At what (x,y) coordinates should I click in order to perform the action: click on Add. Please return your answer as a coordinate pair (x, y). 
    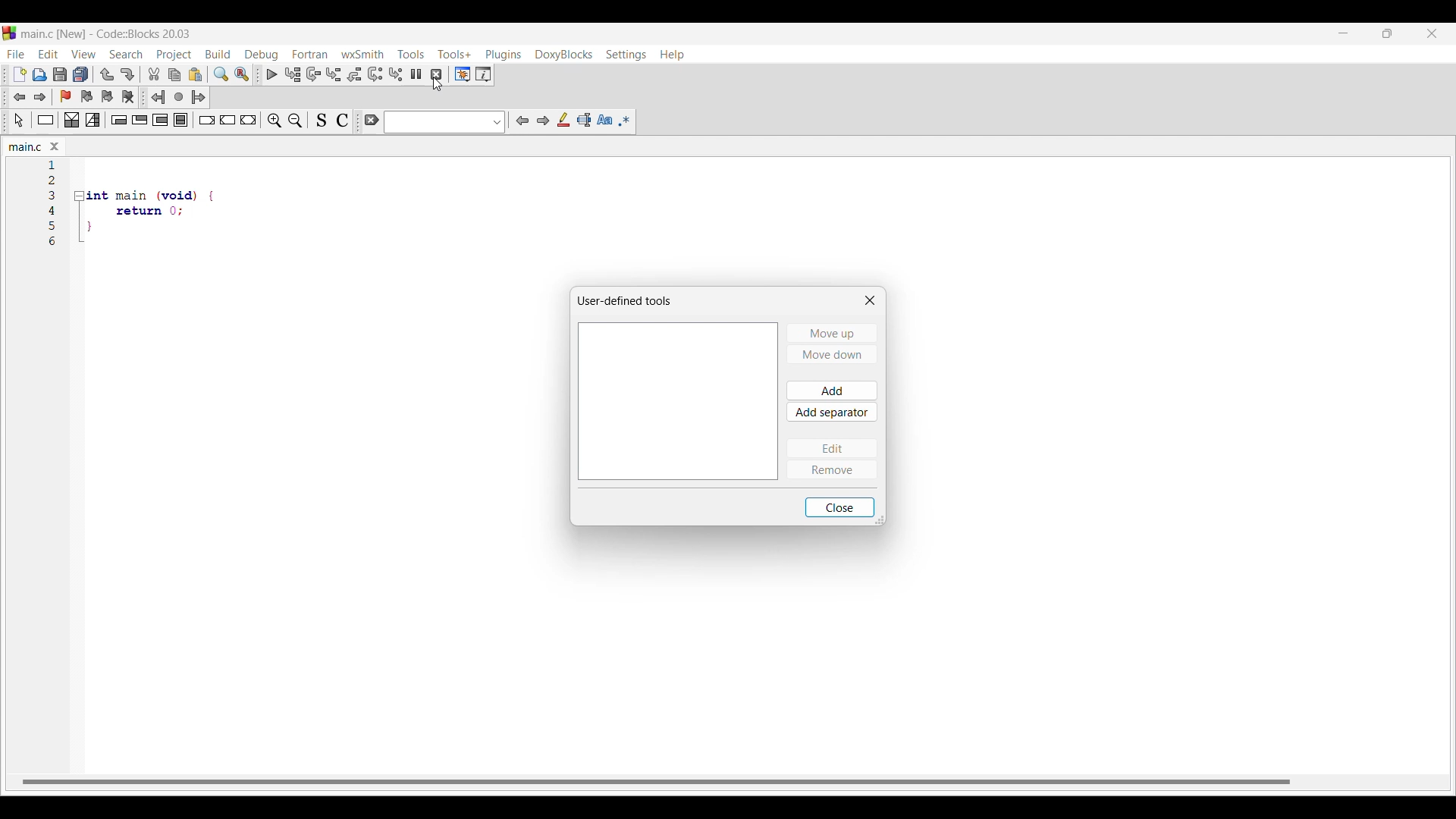
    Looking at the image, I should click on (832, 391).